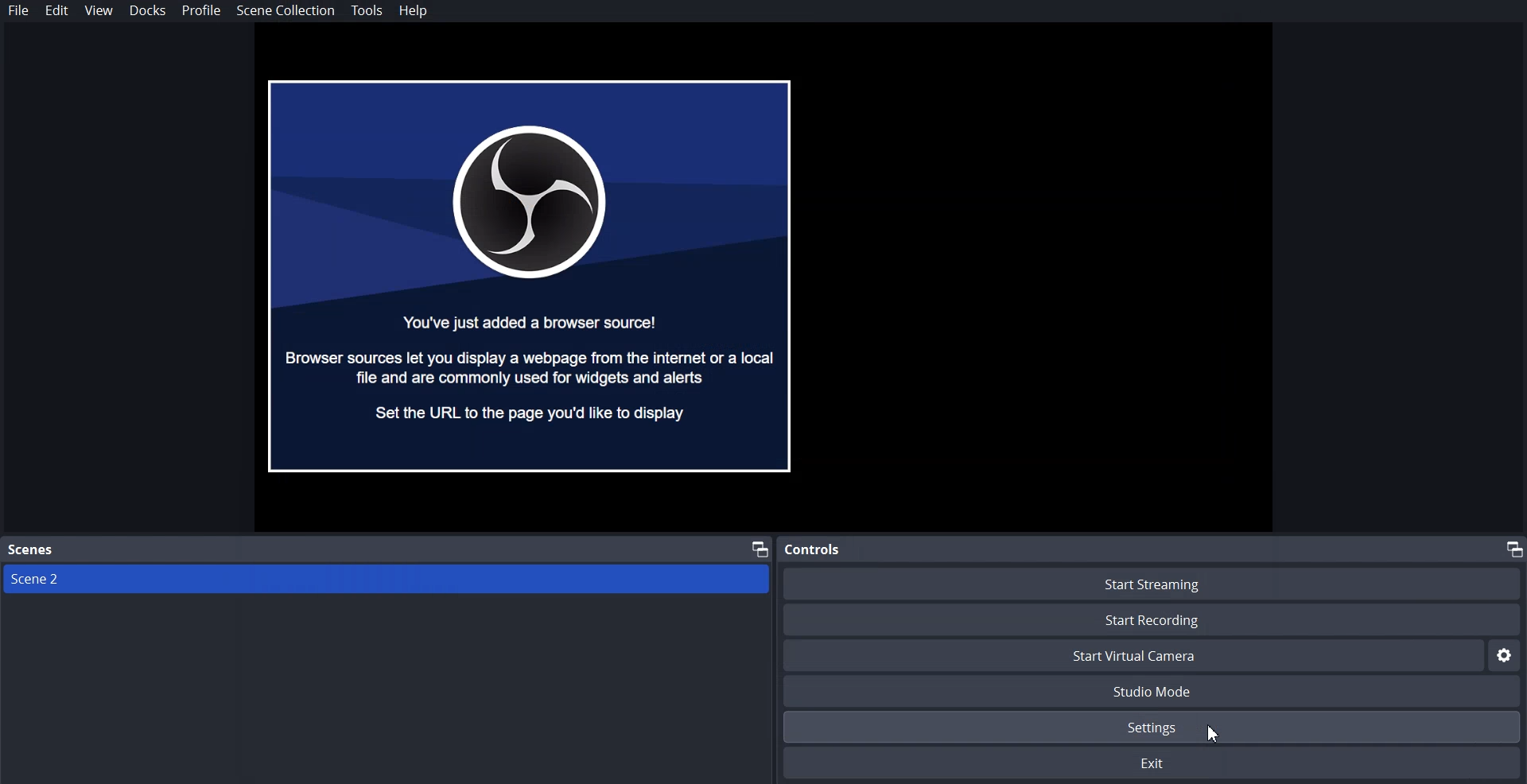 This screenshot has height=784, width=1527. Describe the element at coordinates (1152, 582) in the screenshot. I see `Start Streaming` at that location.